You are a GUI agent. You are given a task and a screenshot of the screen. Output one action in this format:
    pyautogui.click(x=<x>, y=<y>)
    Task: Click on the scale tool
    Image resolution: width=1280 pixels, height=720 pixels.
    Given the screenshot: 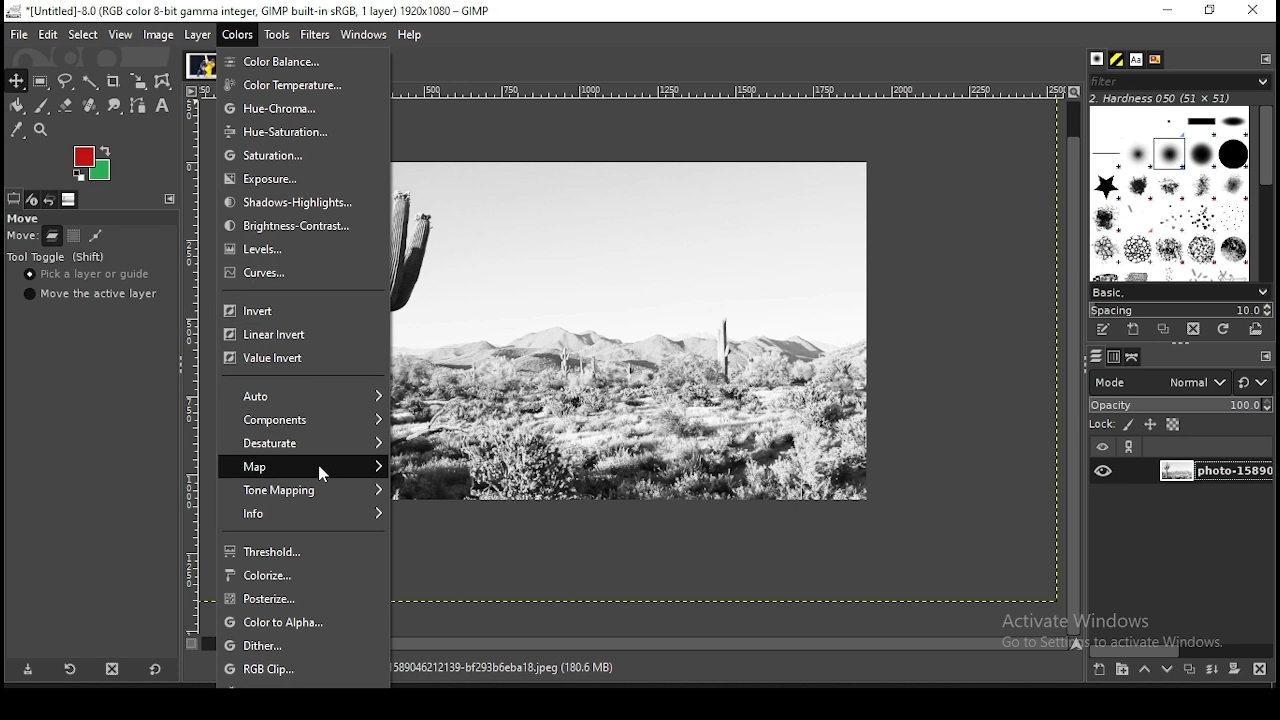 What is the action you would take?
    pyautogui.click(x=141, y=81)
    